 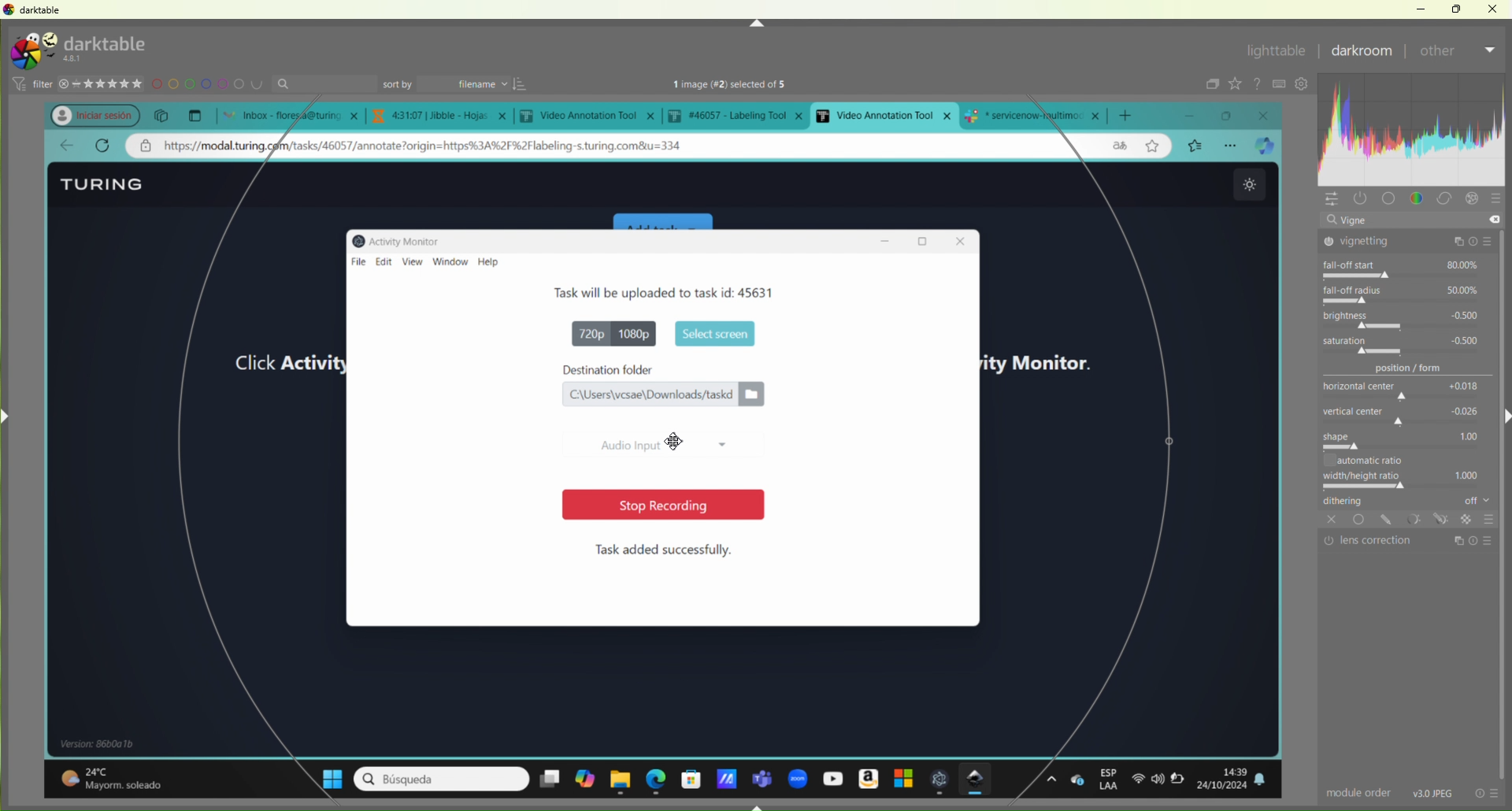 What do you see at coordinates (549, 779) in the screenshot?
I see `desktopms` at bounding box center [549, 779].